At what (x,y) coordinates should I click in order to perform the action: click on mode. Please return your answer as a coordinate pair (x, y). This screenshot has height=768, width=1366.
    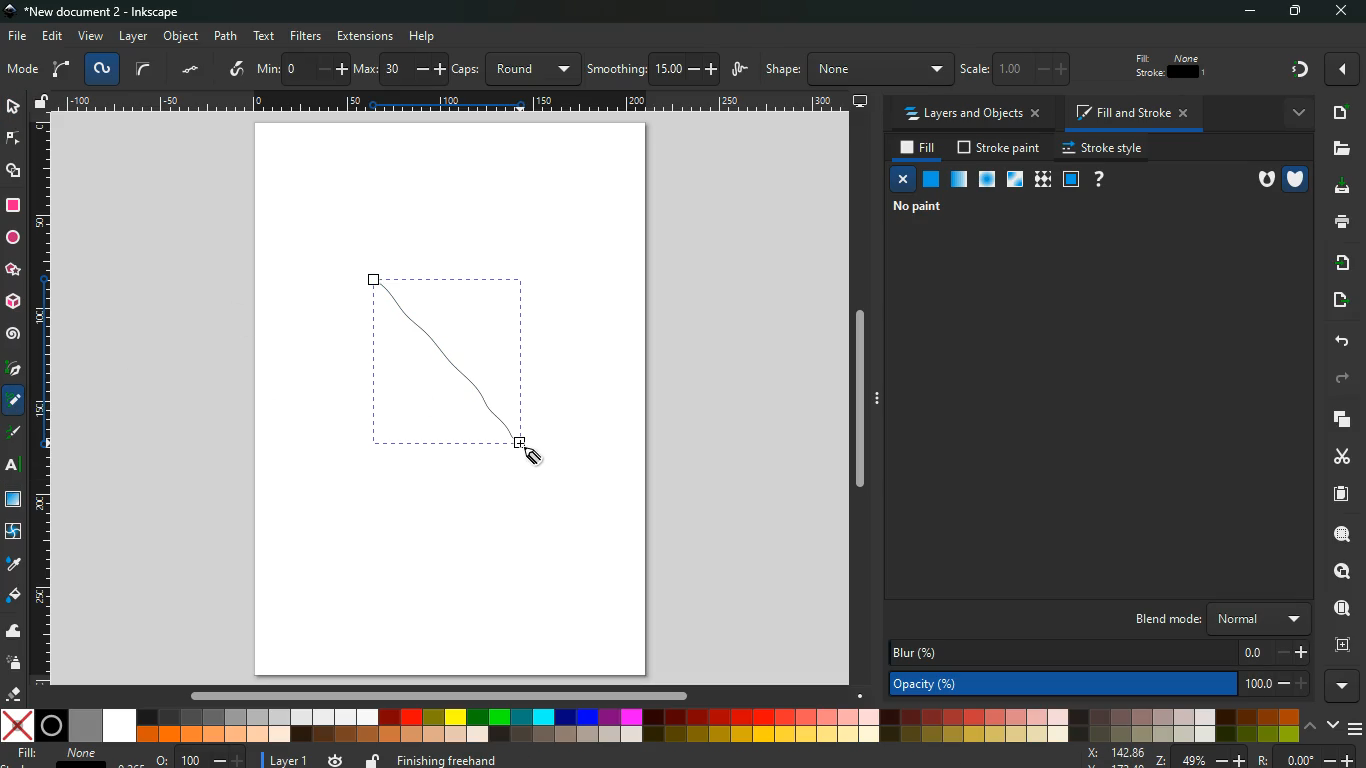
    Looking at the image, I should click on (23, 71).